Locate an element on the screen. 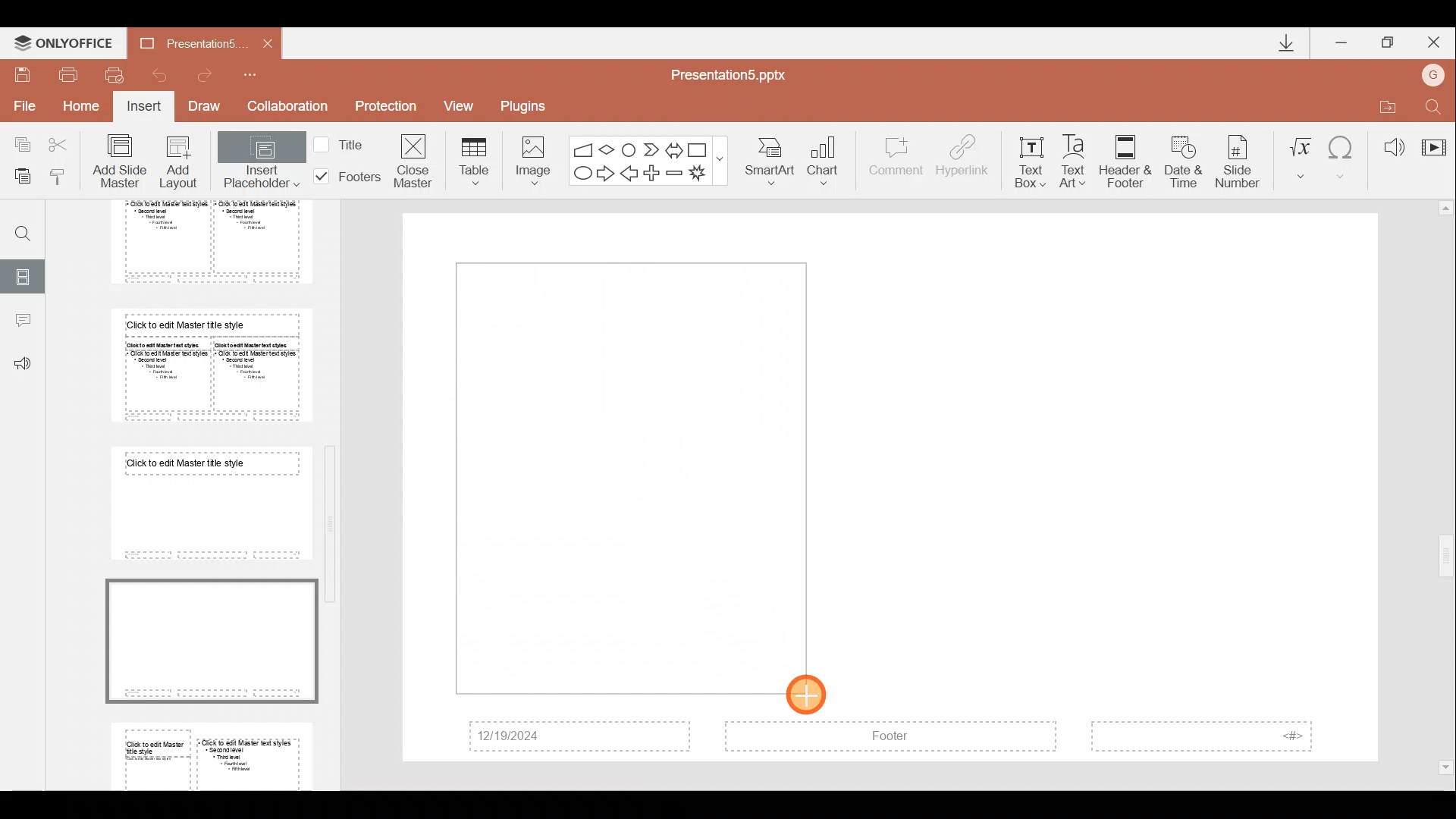 The height and width of the screenshot is (819, 1456). Close is located at coordinates (1436, 39).